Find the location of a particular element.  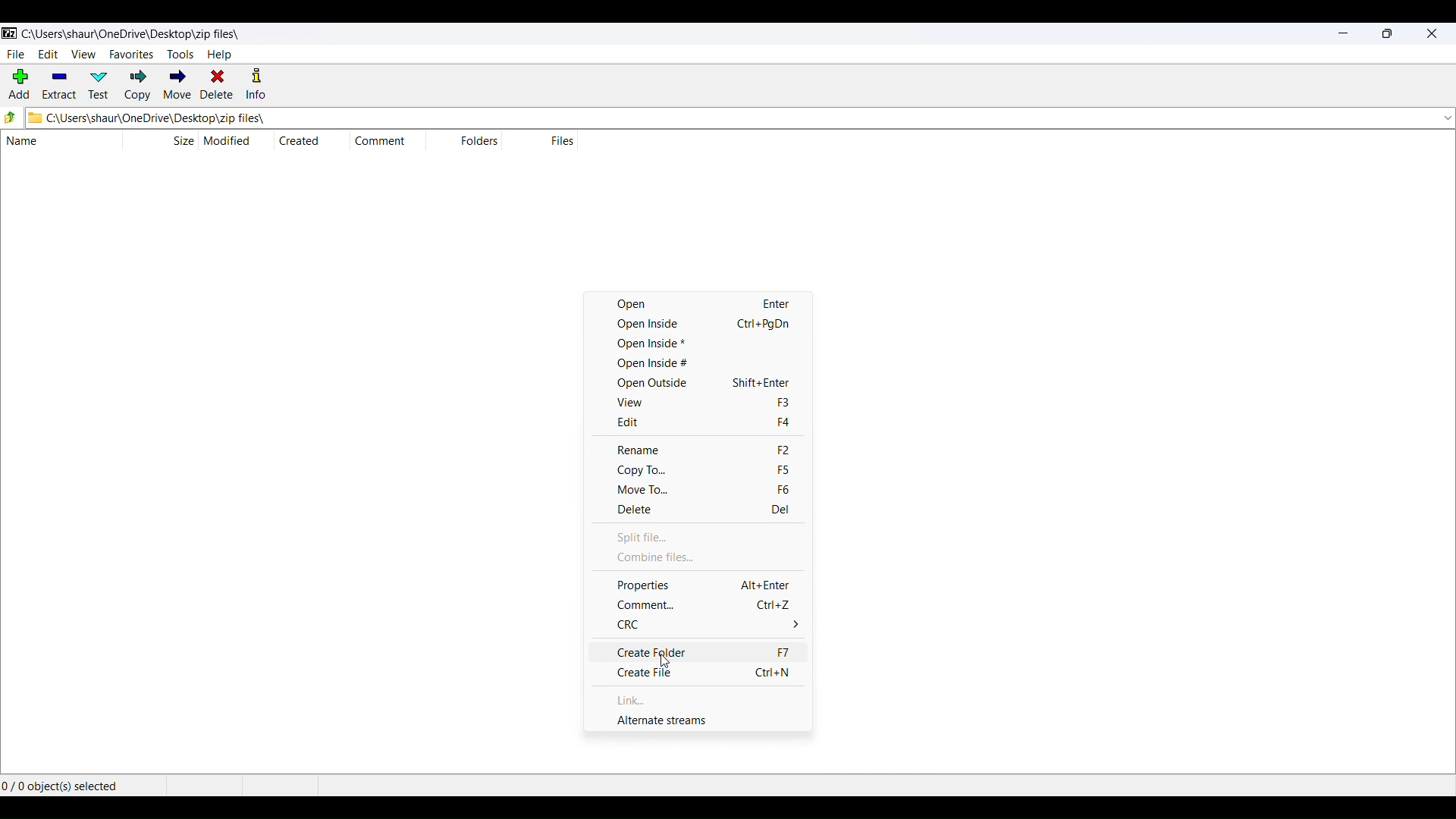

OPEN INSIDE # is located at coordinates (704, 363).